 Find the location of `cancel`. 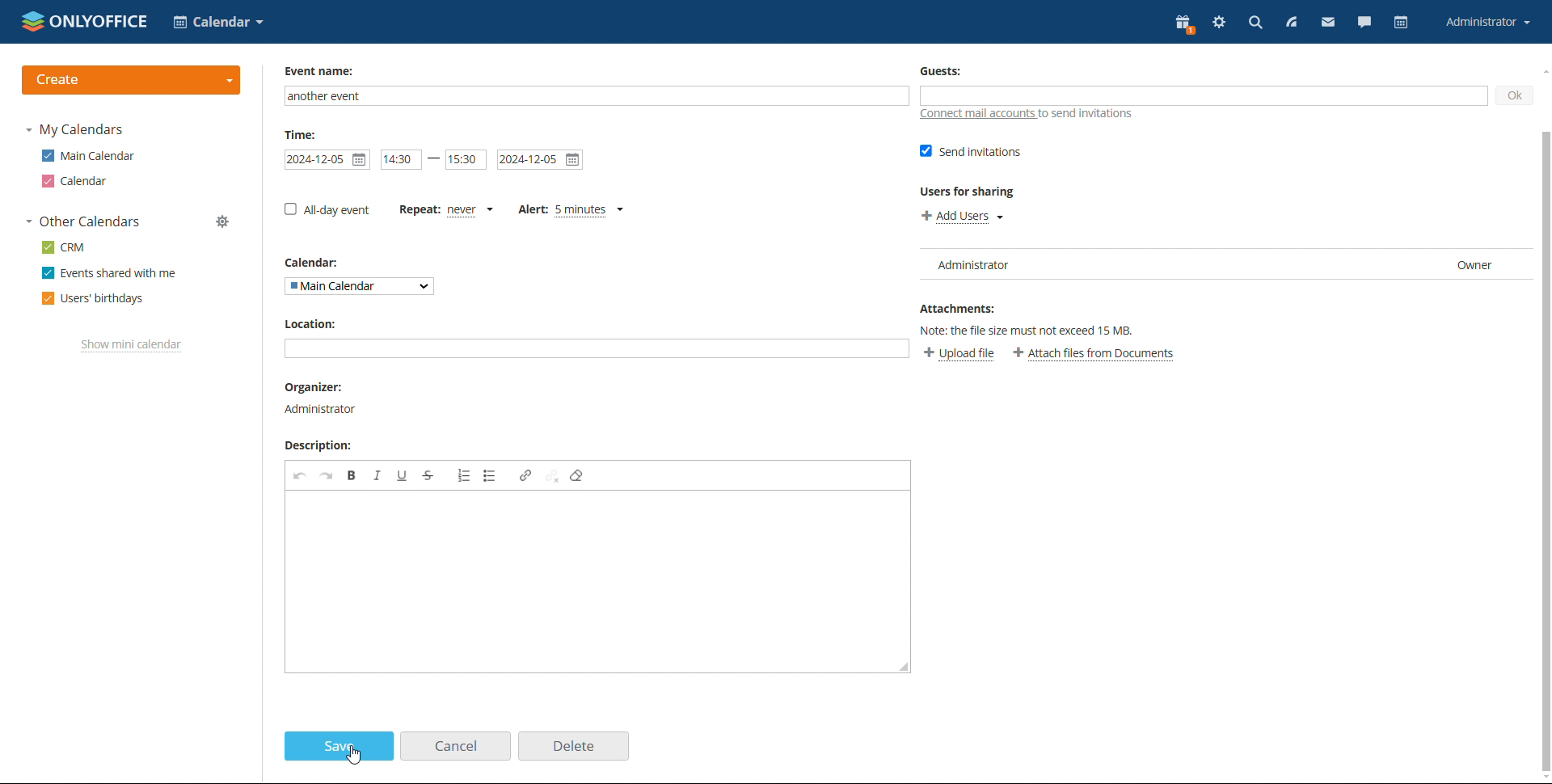

cancel is located at coordinates (456, 746).